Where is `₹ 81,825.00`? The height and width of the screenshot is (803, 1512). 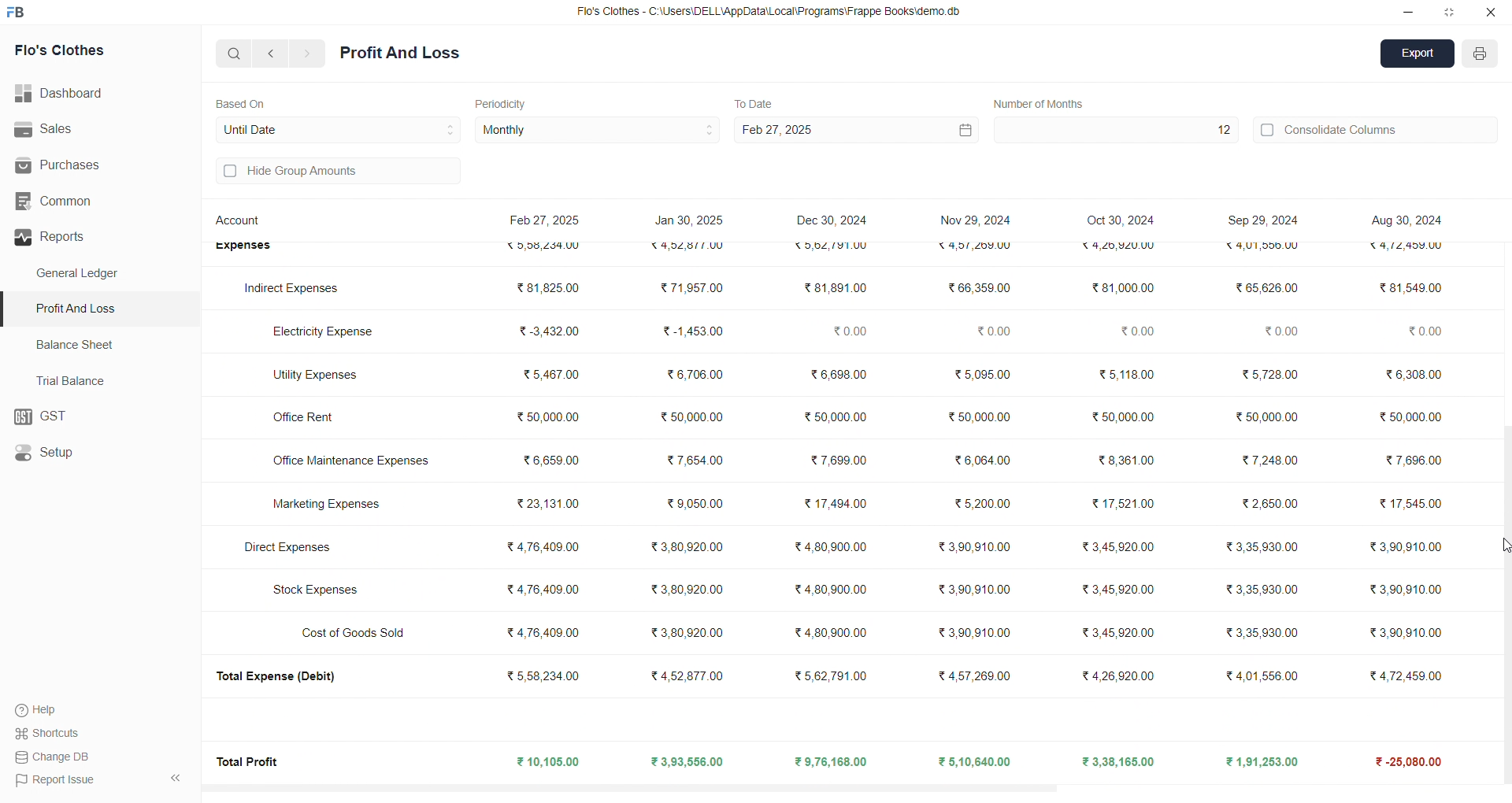 ₹ 81,825.00 is located at coordinates (544, 287).